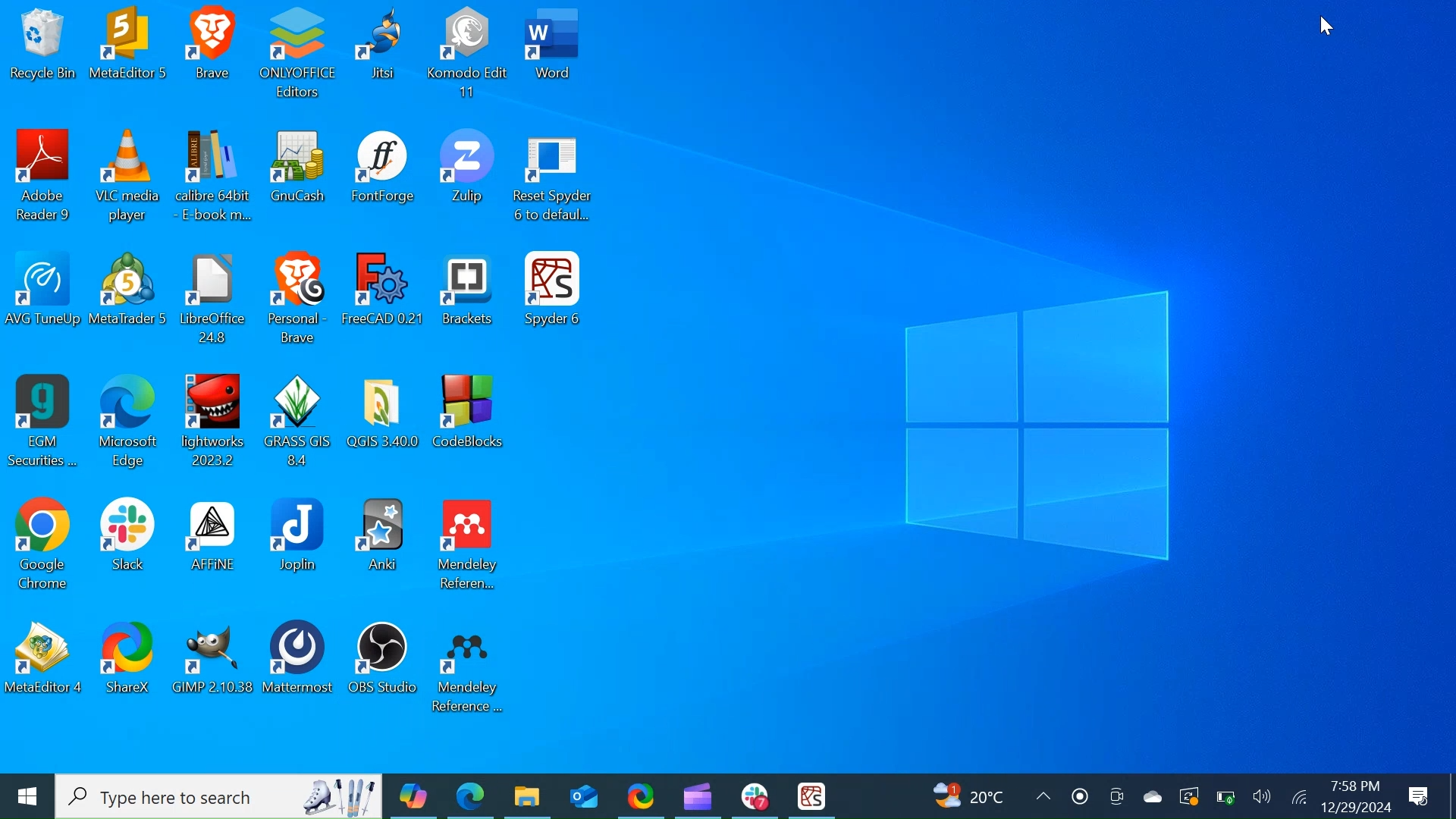 This screenshot has height=819, width=1456. What do you see at coordinates (698, 795) in the screenshot?
I see `Microsot Clipchamp` at bounding box center [698, 795].